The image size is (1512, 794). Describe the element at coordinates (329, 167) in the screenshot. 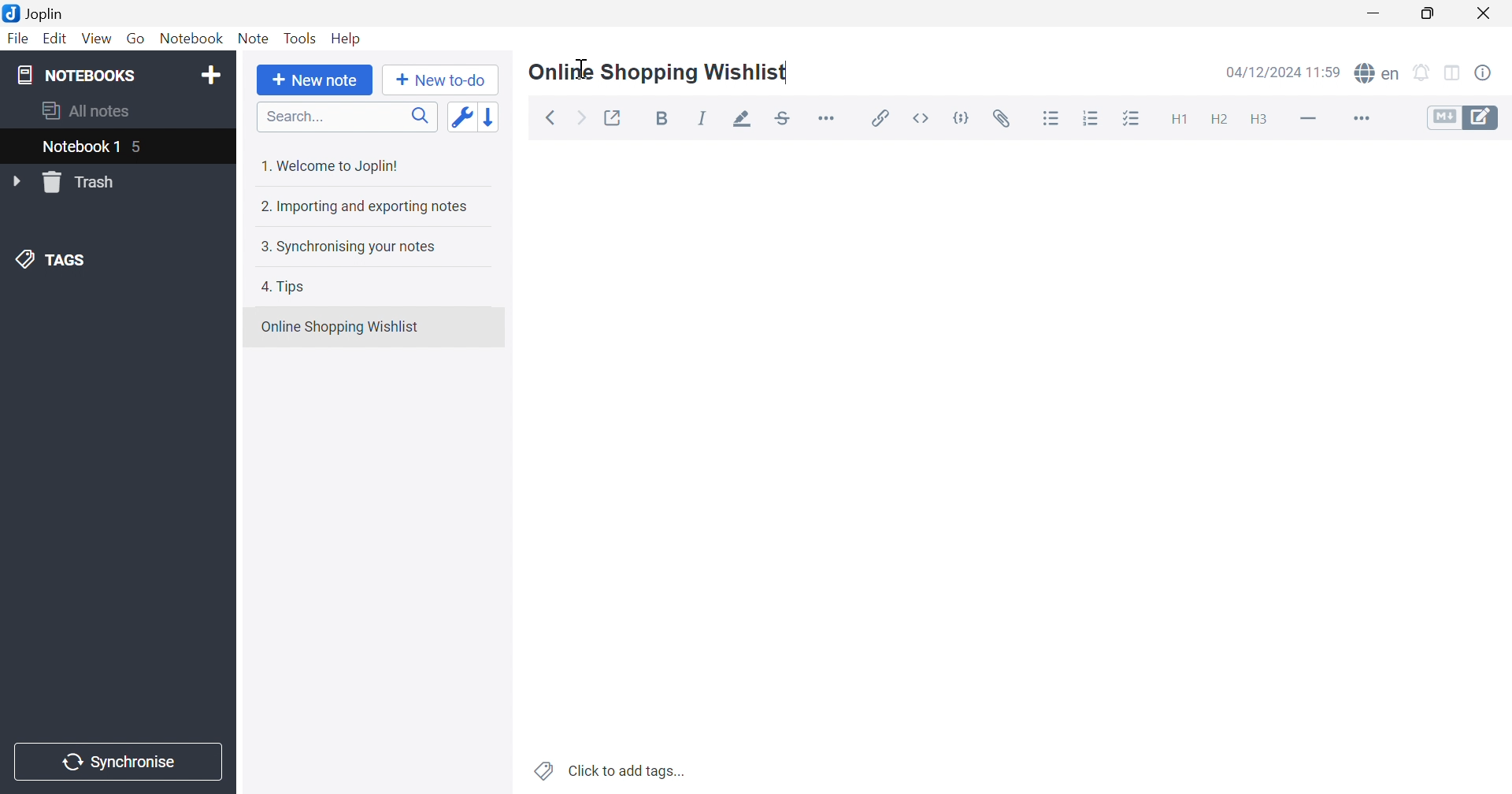

I see `1. Welcome to Joplin!` at that location.